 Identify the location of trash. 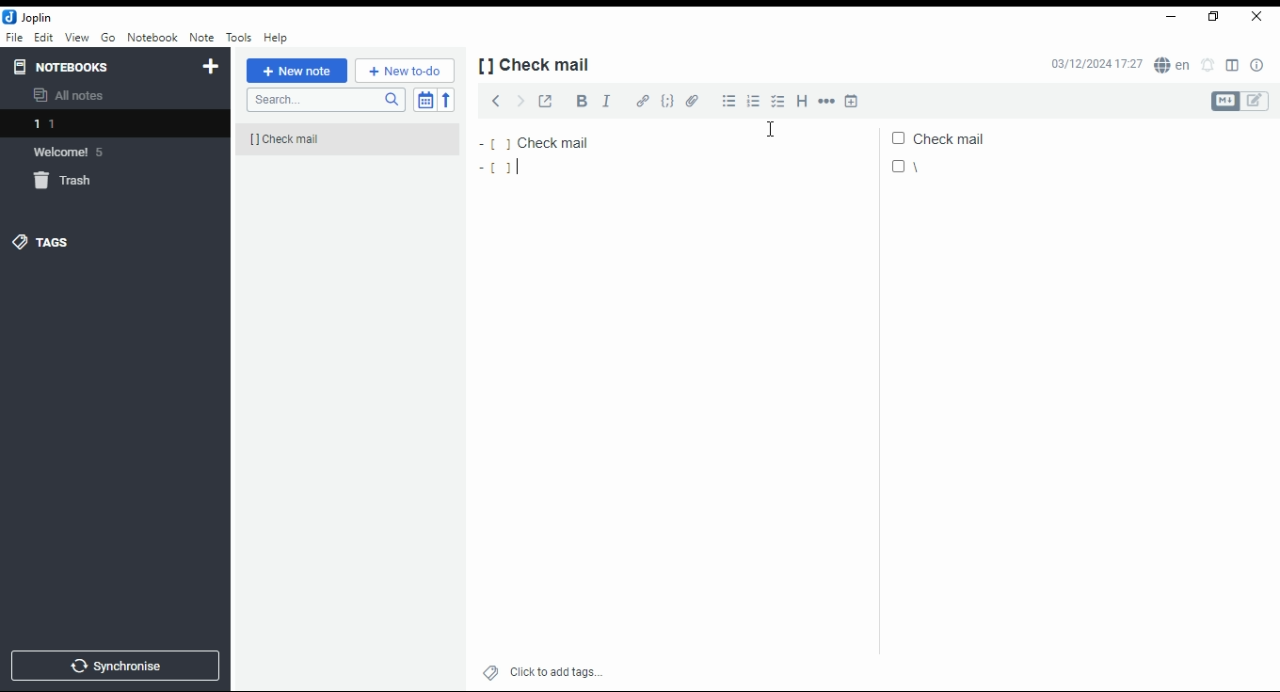
(64, 180).